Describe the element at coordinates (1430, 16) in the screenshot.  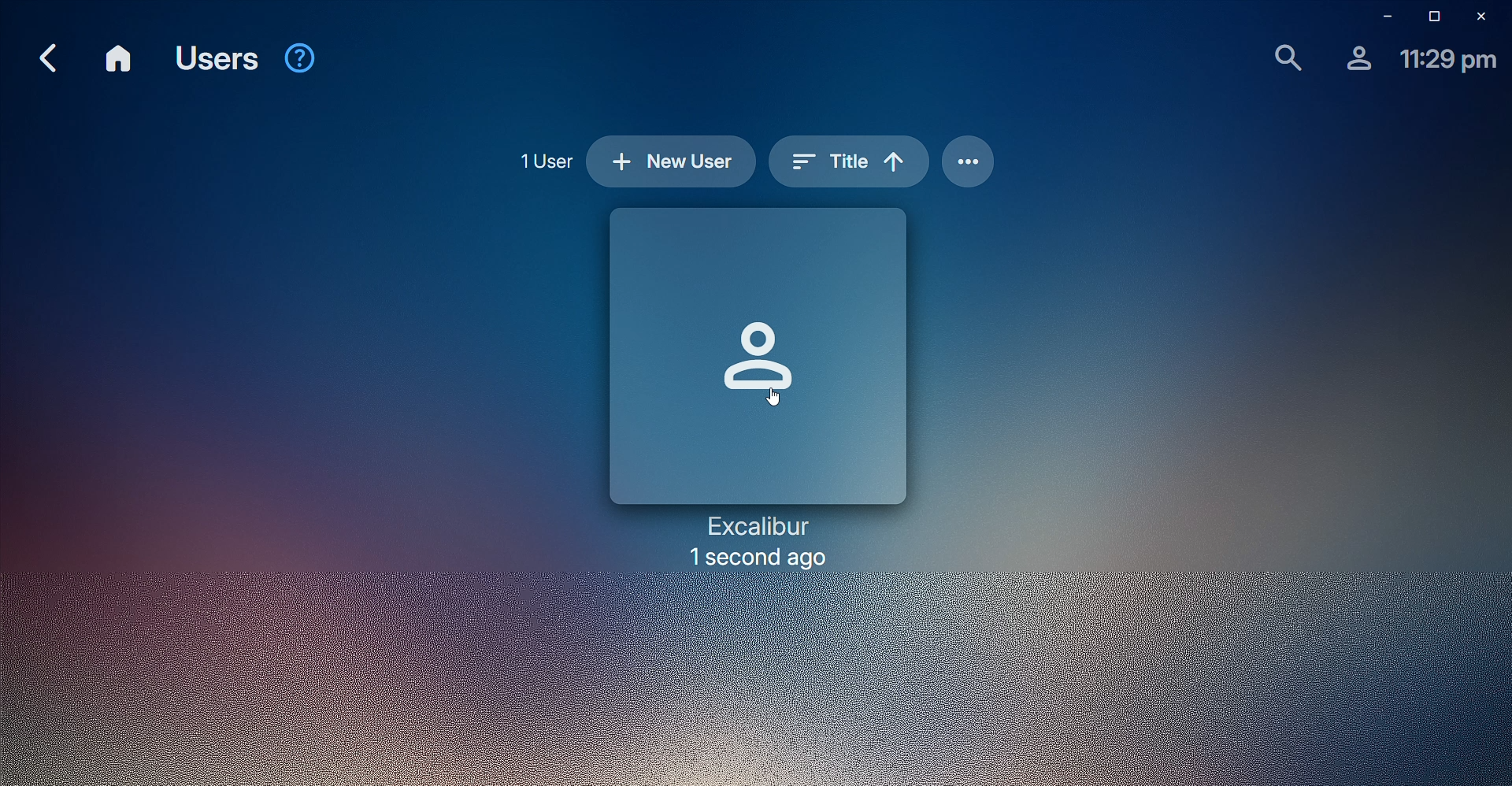
I see `Restore` at that location.